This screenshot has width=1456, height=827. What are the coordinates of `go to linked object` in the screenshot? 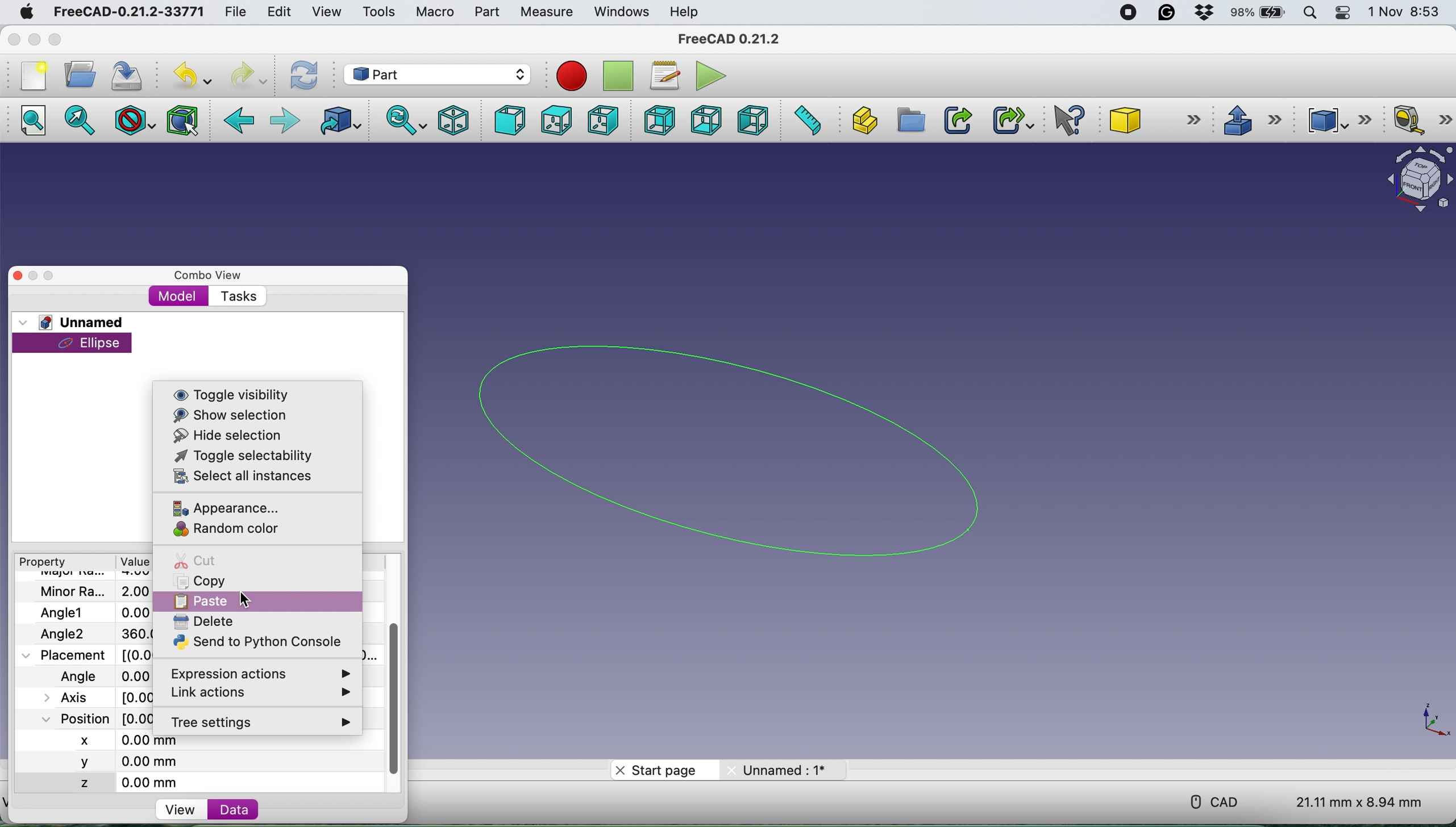 It's located at (337, 120).